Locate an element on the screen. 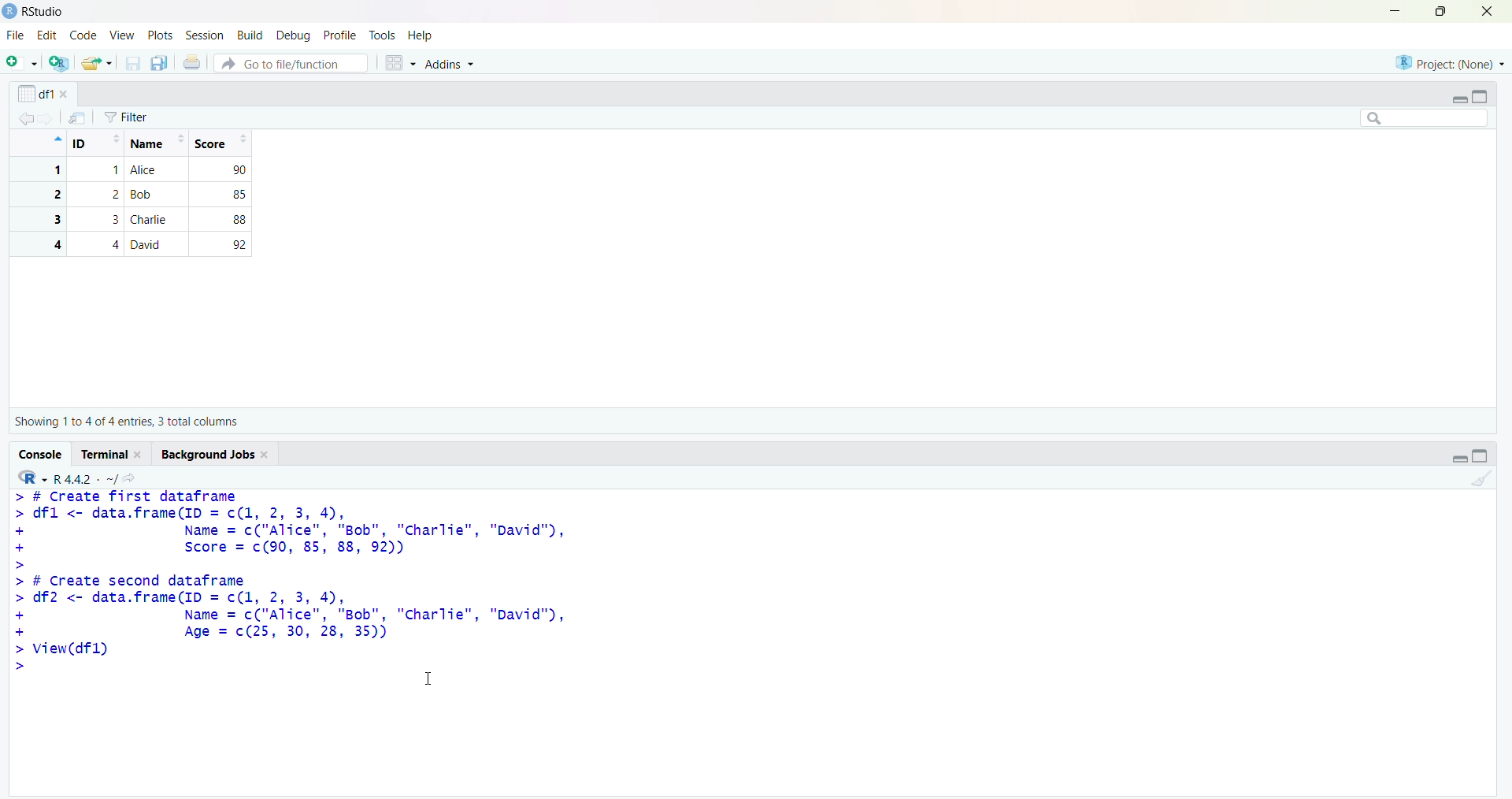 The image size is (1512, 799). toggle full view is located at coordinates (1479, 97).